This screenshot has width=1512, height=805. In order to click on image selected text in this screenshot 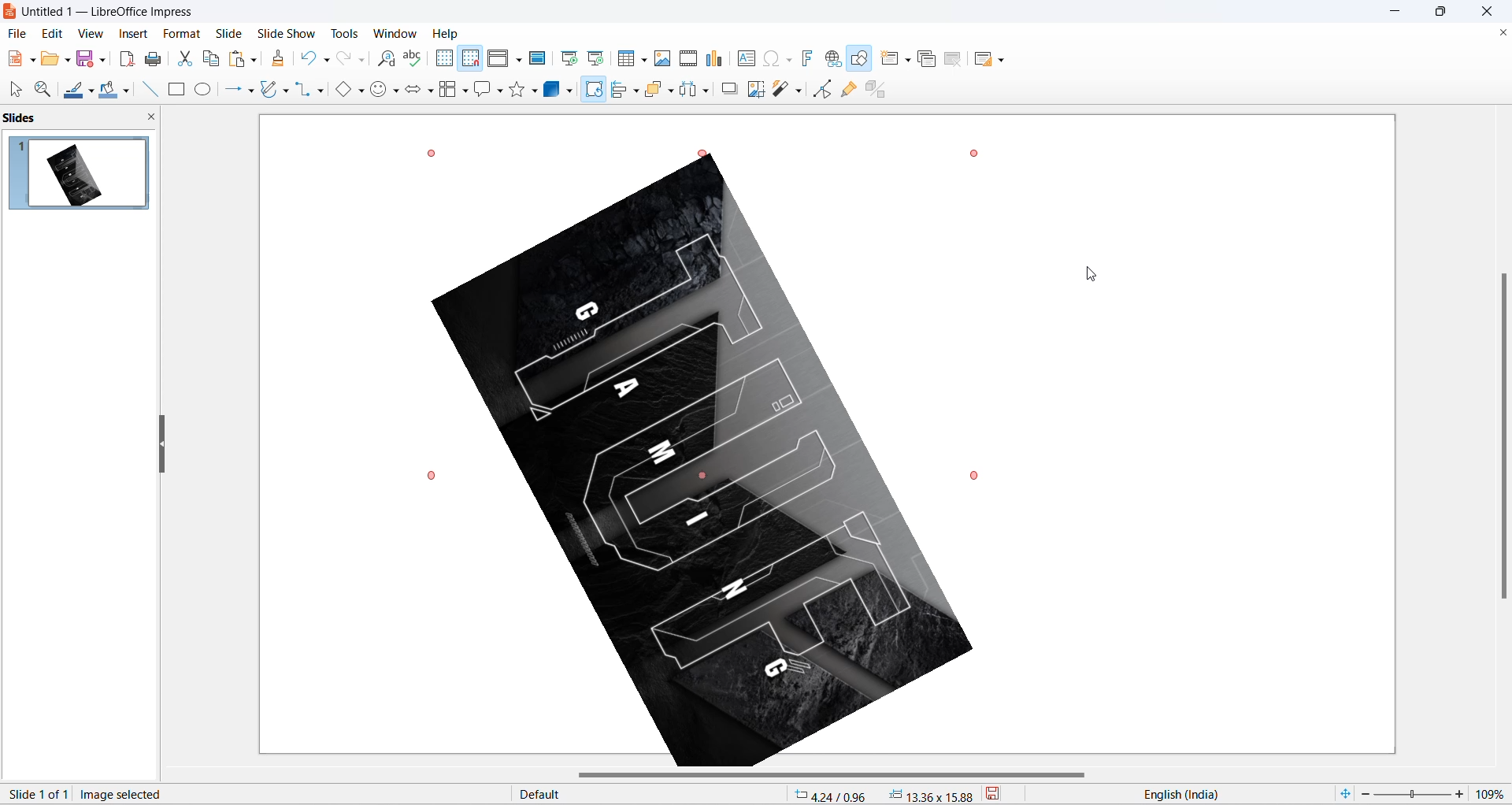, I will do `click(124, 793)`.